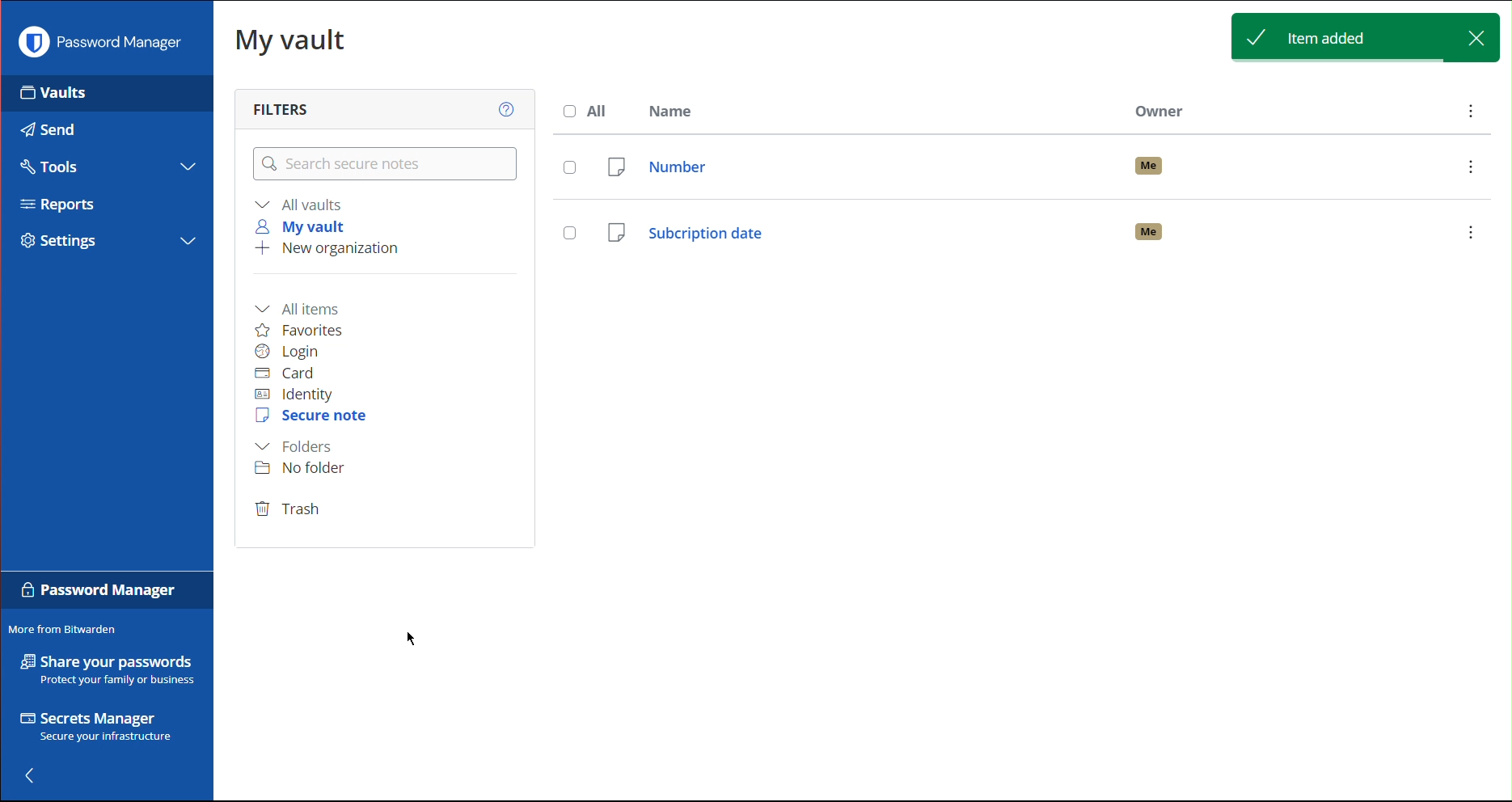 The image size is (1512, 802). What do you see at coordinates (289, 510) in the screenshot?
I see `Trash` at bounding box center [289, 510].